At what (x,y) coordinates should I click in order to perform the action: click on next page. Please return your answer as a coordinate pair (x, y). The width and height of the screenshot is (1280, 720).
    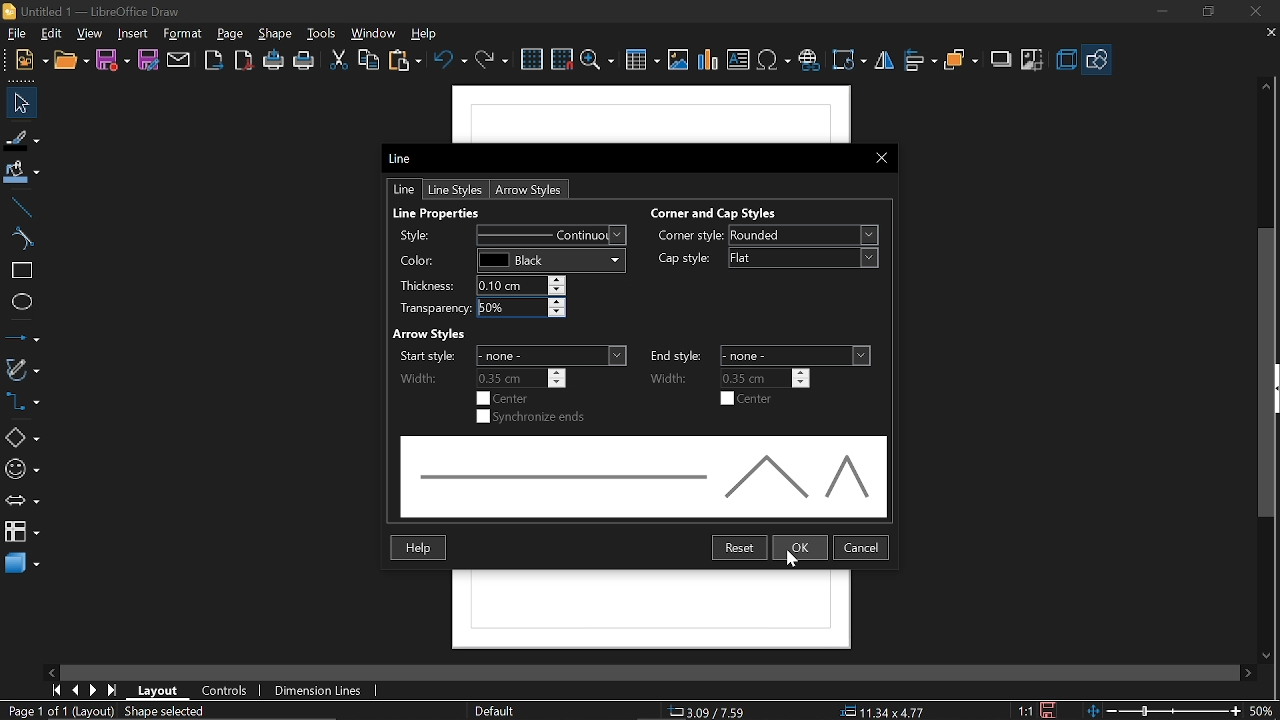
    Looking at the image, I should click on (93, 691).